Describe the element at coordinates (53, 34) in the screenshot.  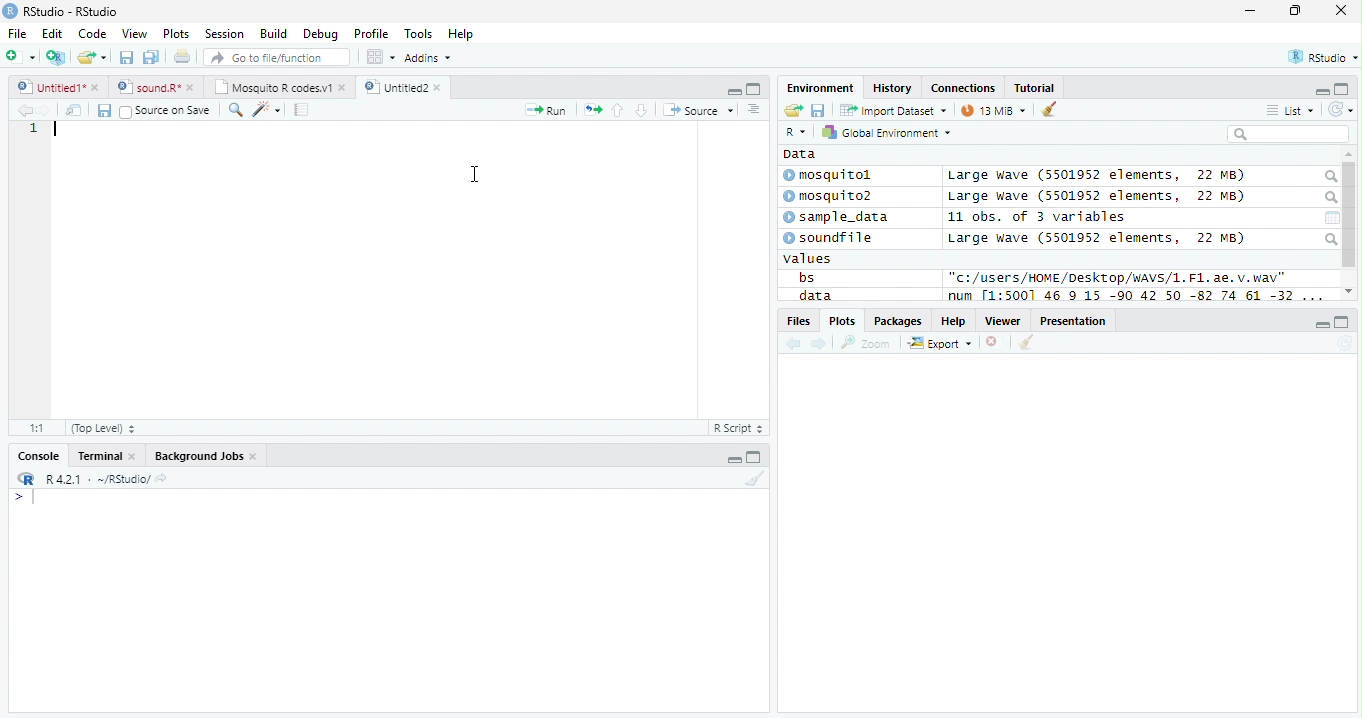
I see `Edit` at that location.